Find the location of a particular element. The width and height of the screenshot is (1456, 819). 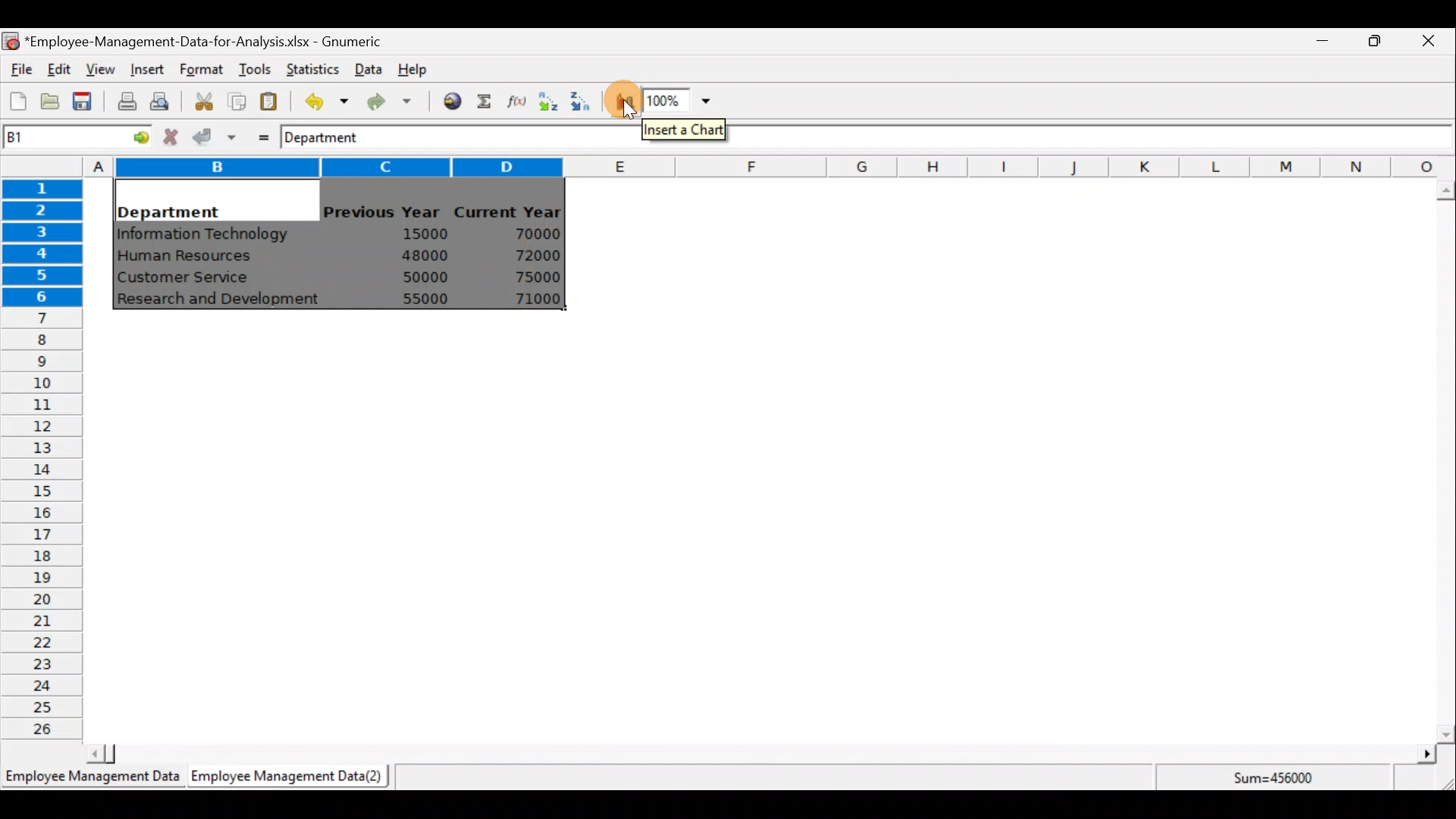

Insert hyperlink is located at coordinates (447, 100).